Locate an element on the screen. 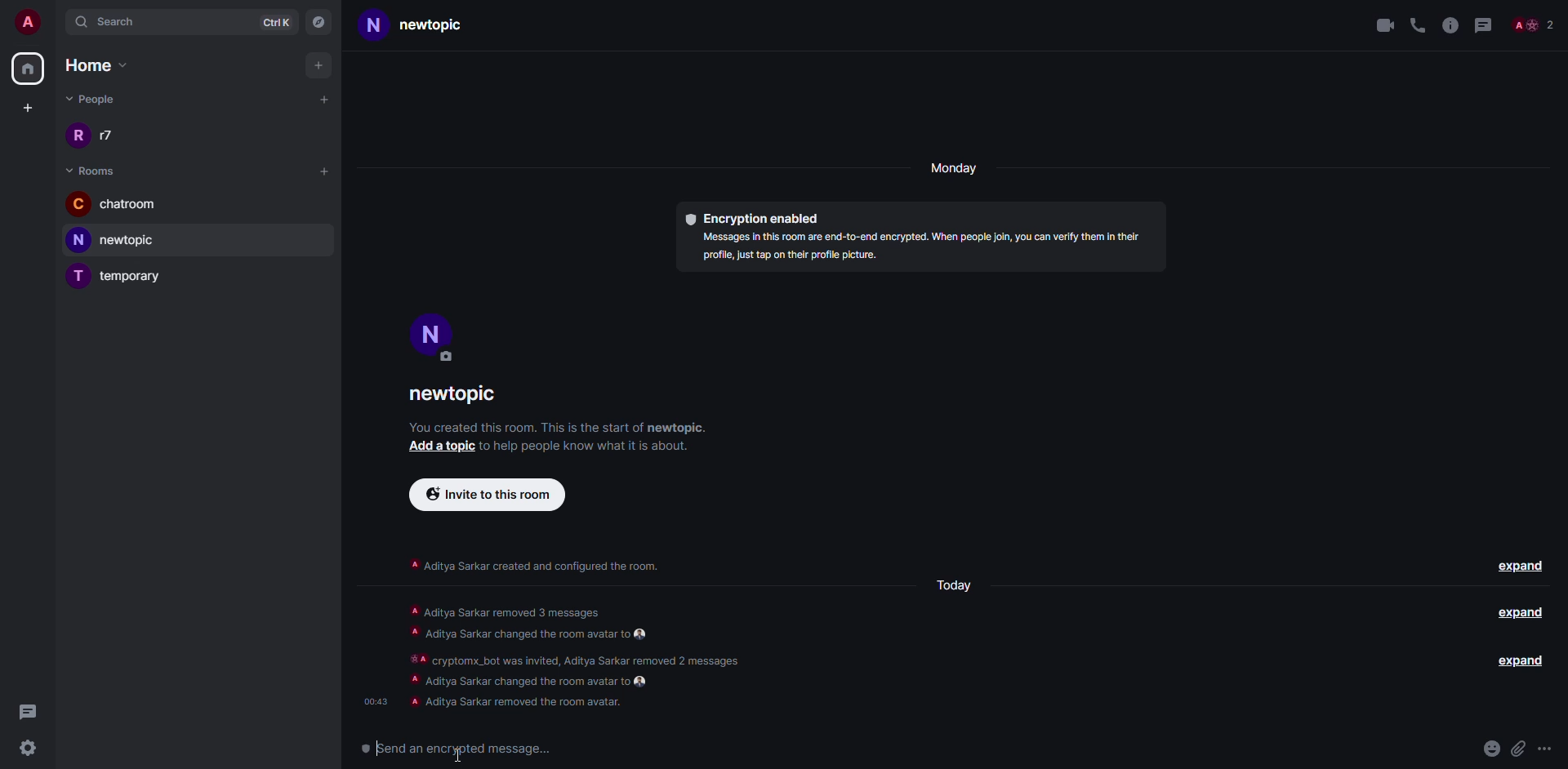 This screenshot has width=1568, height=769. people is located at coordinates (1532, 26).